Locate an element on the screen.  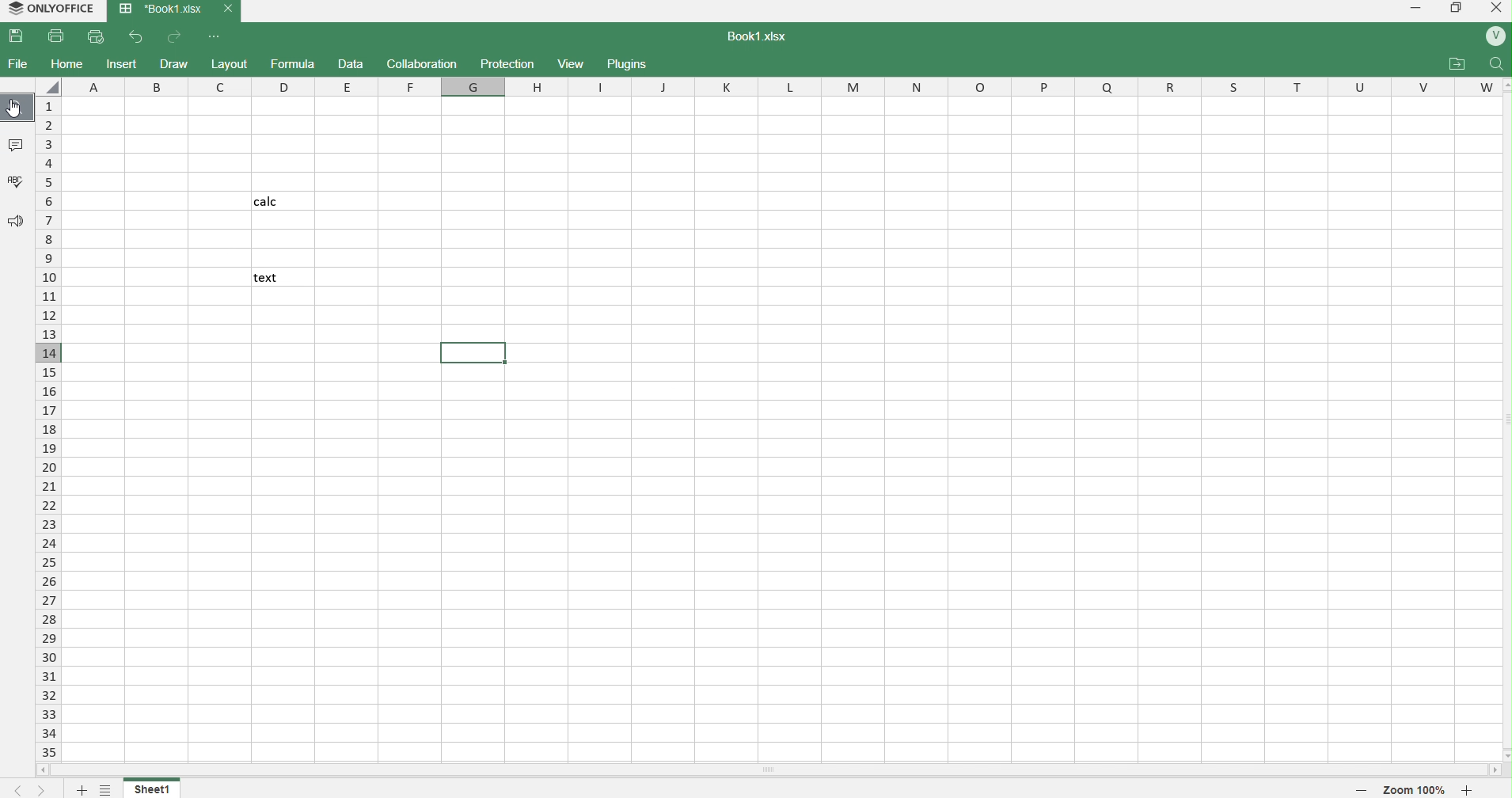
more options is located at coordinates (216, 38).